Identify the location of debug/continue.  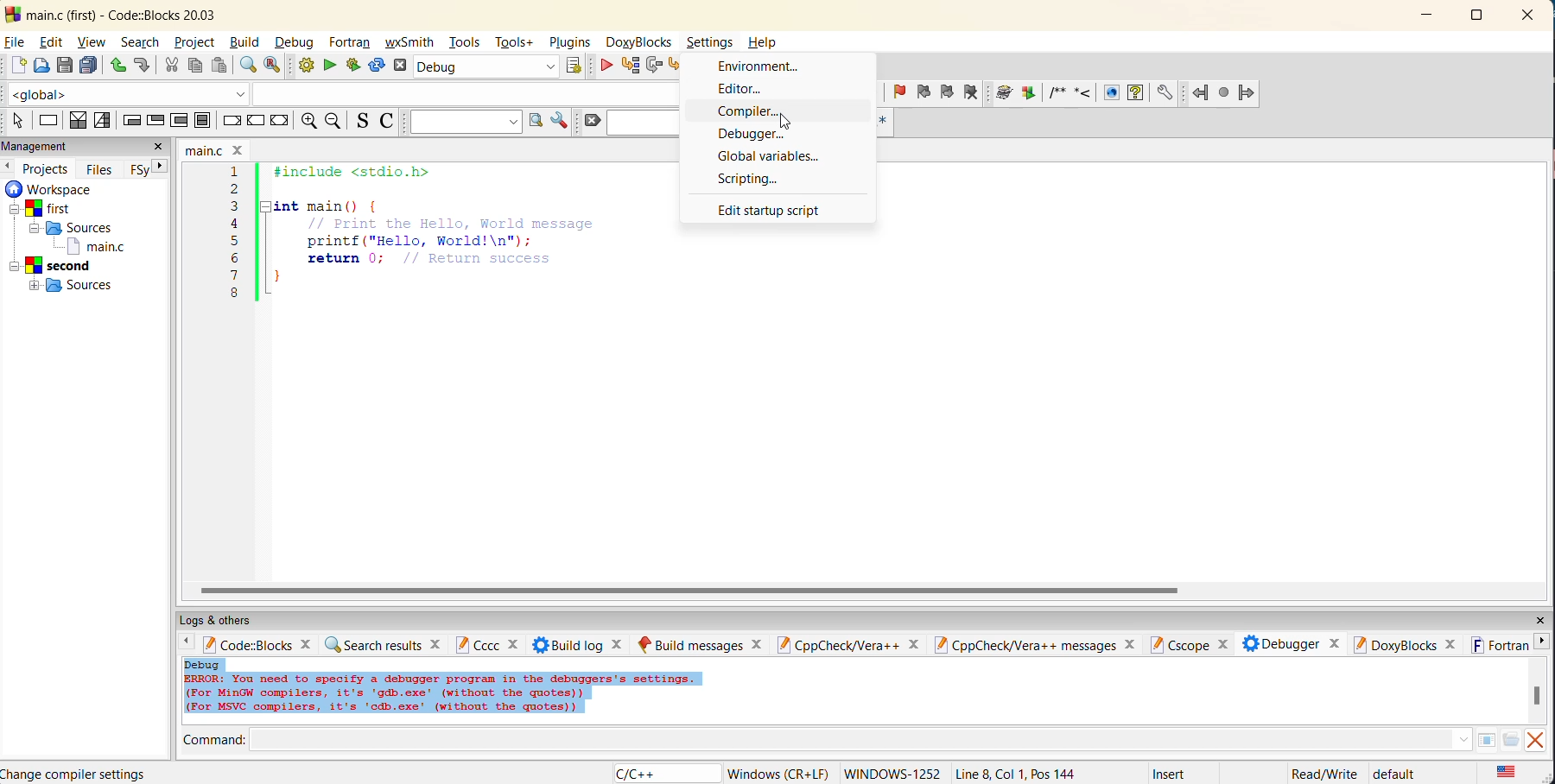
(605, 68).